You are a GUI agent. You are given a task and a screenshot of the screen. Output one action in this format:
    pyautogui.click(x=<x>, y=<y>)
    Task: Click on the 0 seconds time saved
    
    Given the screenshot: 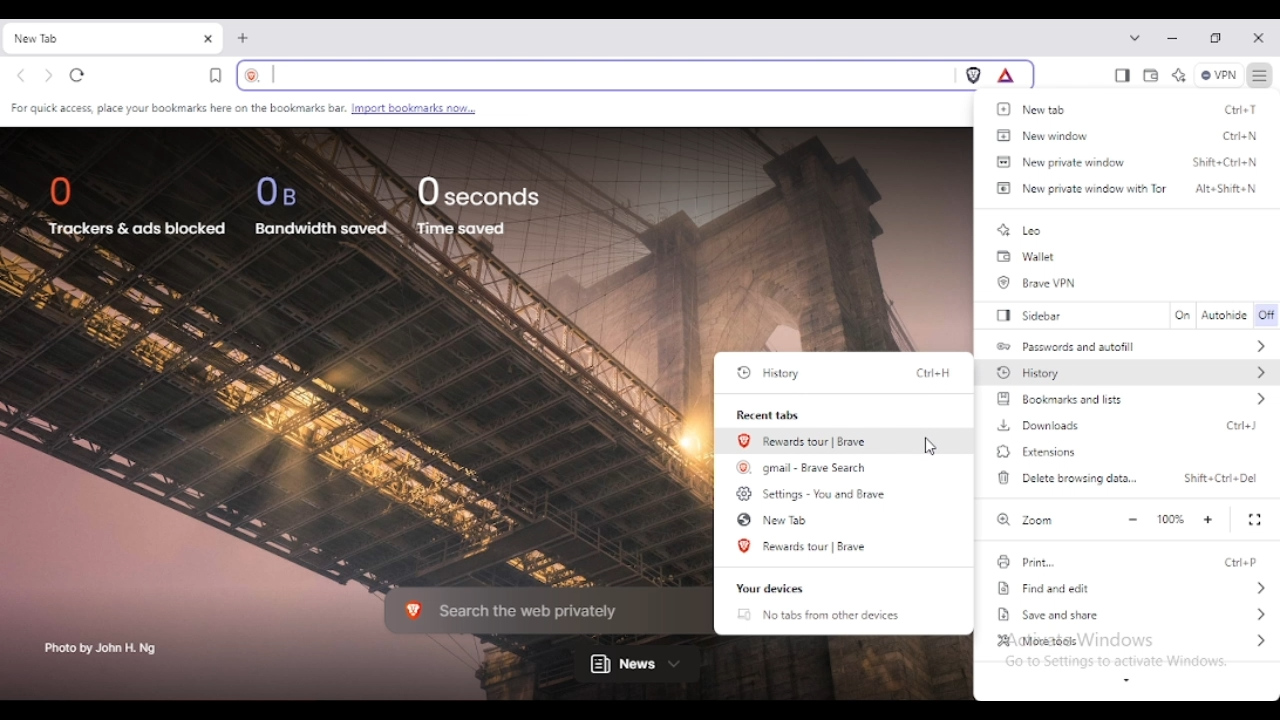 What is the action you would take?
    pyautogui.click(x=479, y=205)
    